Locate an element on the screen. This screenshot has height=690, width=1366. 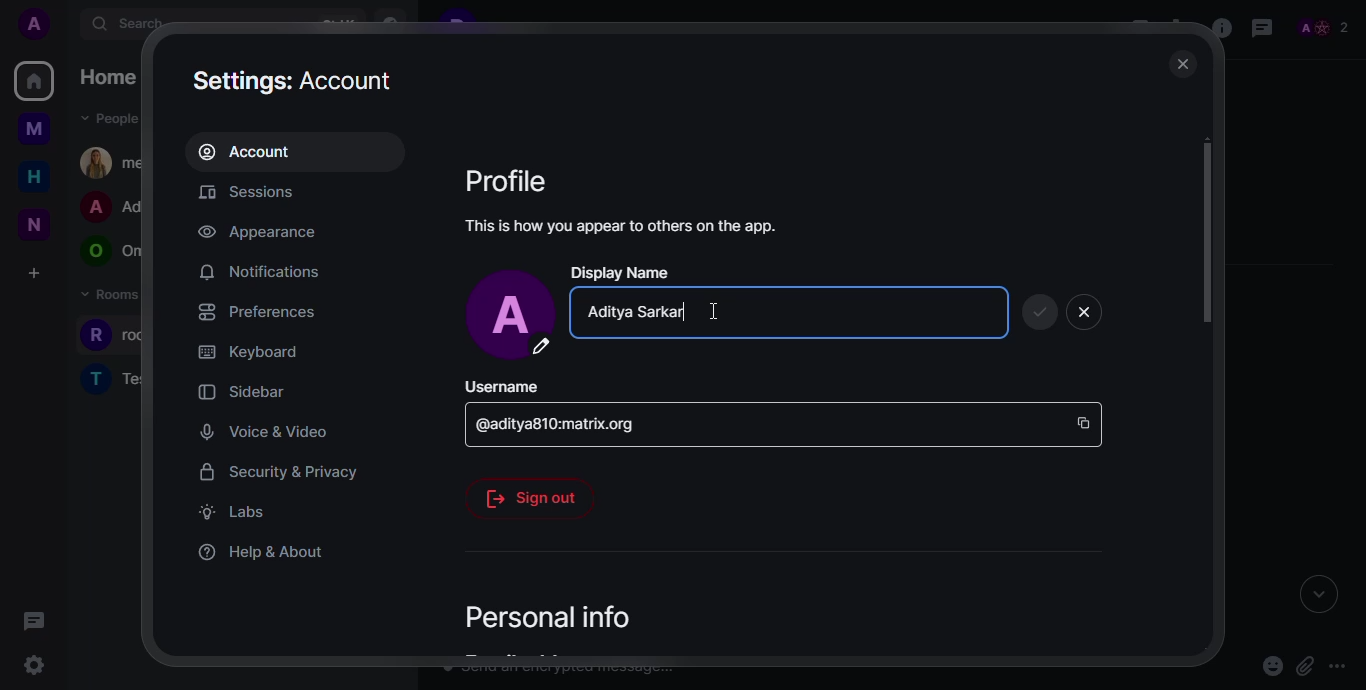
copy is located at coordinates (1085, 420).